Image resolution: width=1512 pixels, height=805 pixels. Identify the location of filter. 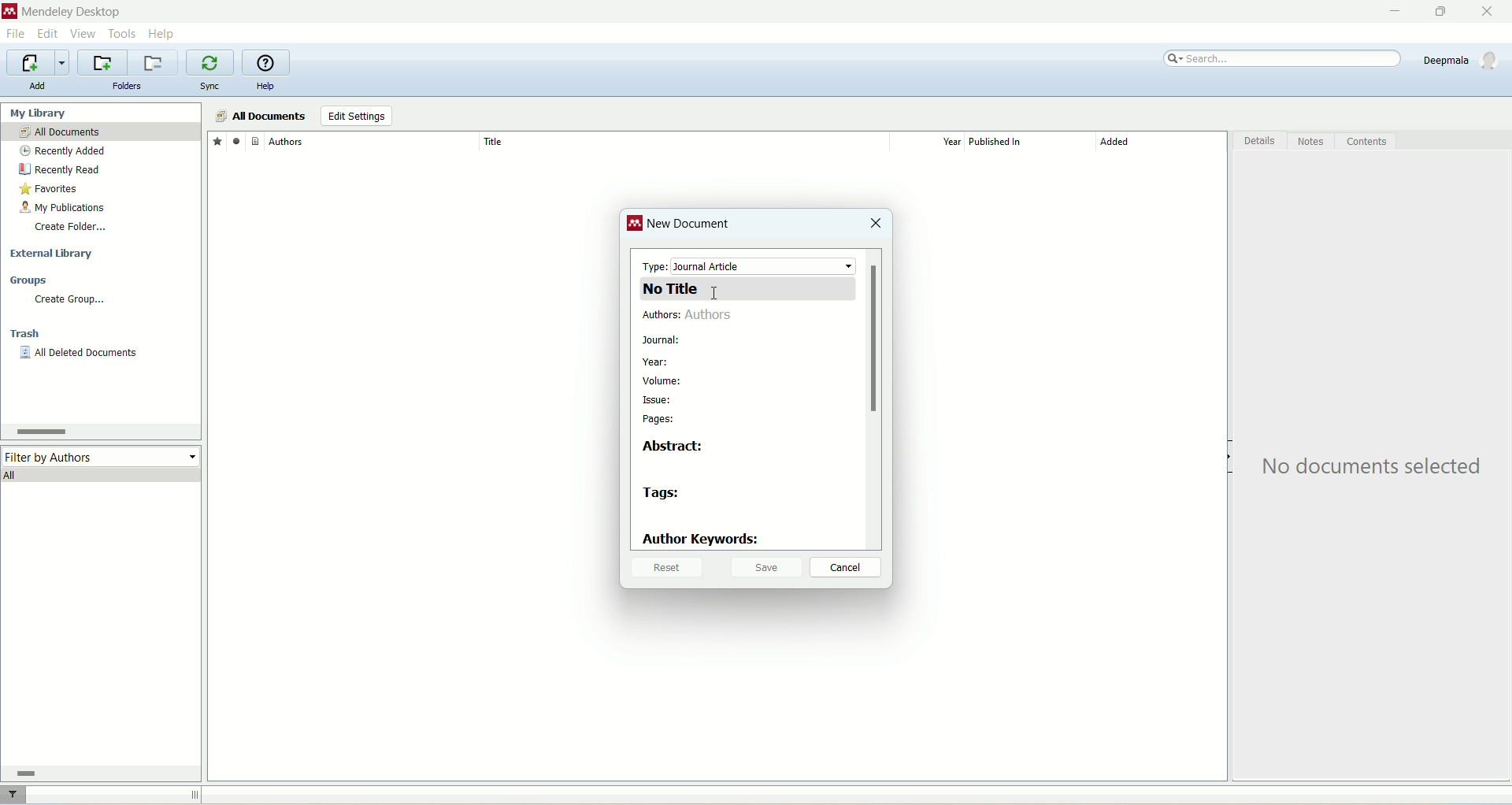
(15, 795).